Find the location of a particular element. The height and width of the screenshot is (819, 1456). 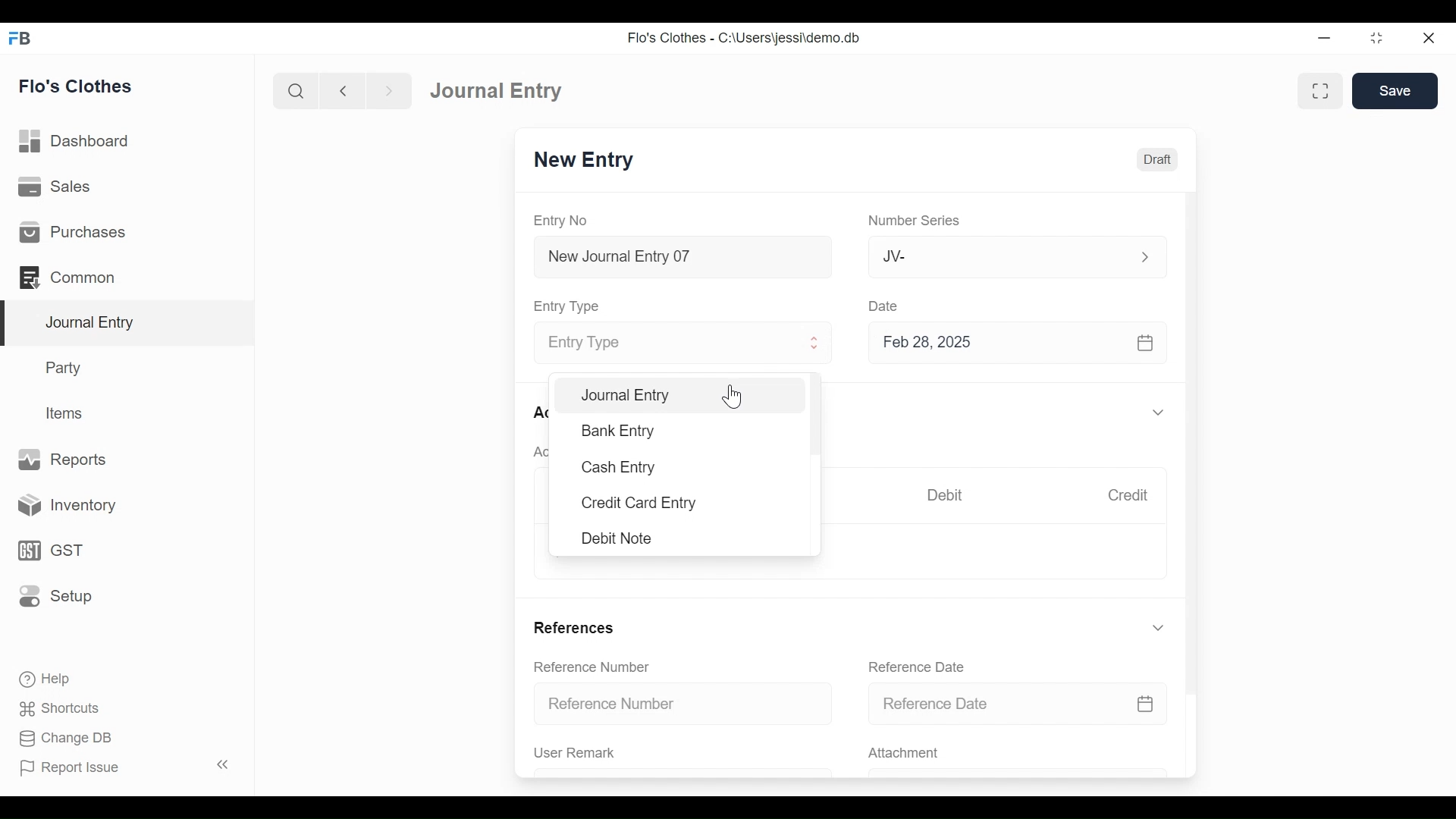

Dashboard is located at coordinates (75, 140).